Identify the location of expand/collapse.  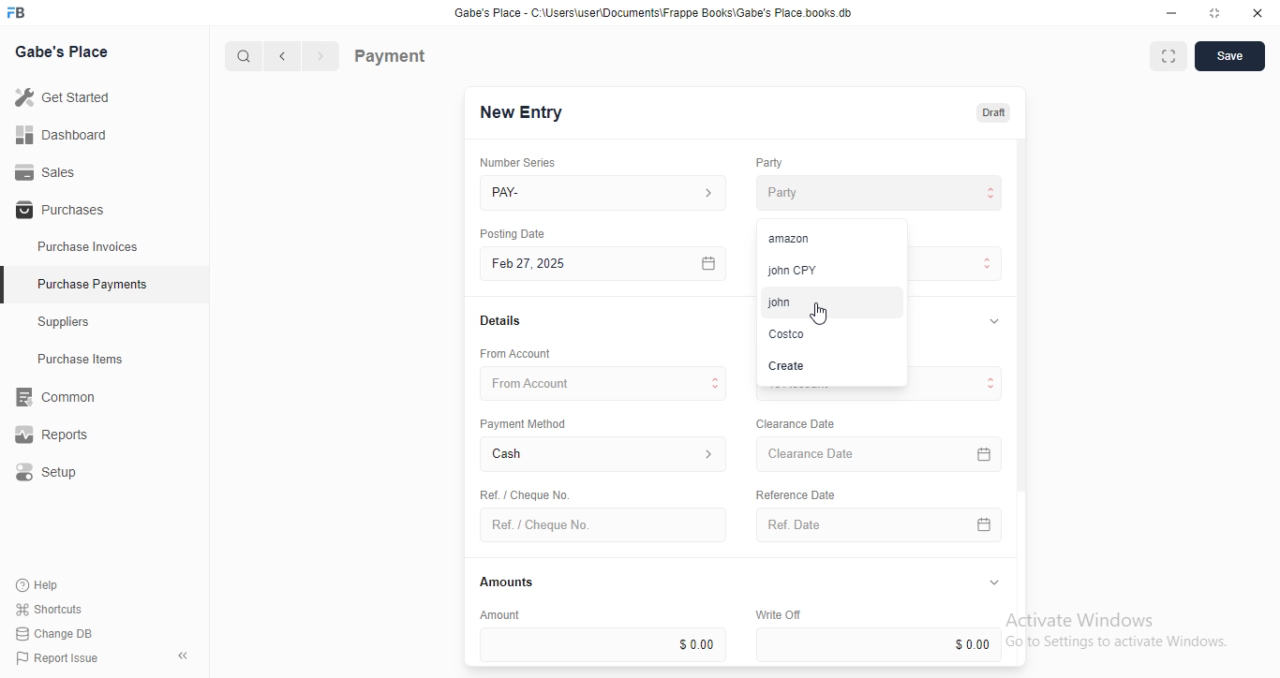
(993, 583).